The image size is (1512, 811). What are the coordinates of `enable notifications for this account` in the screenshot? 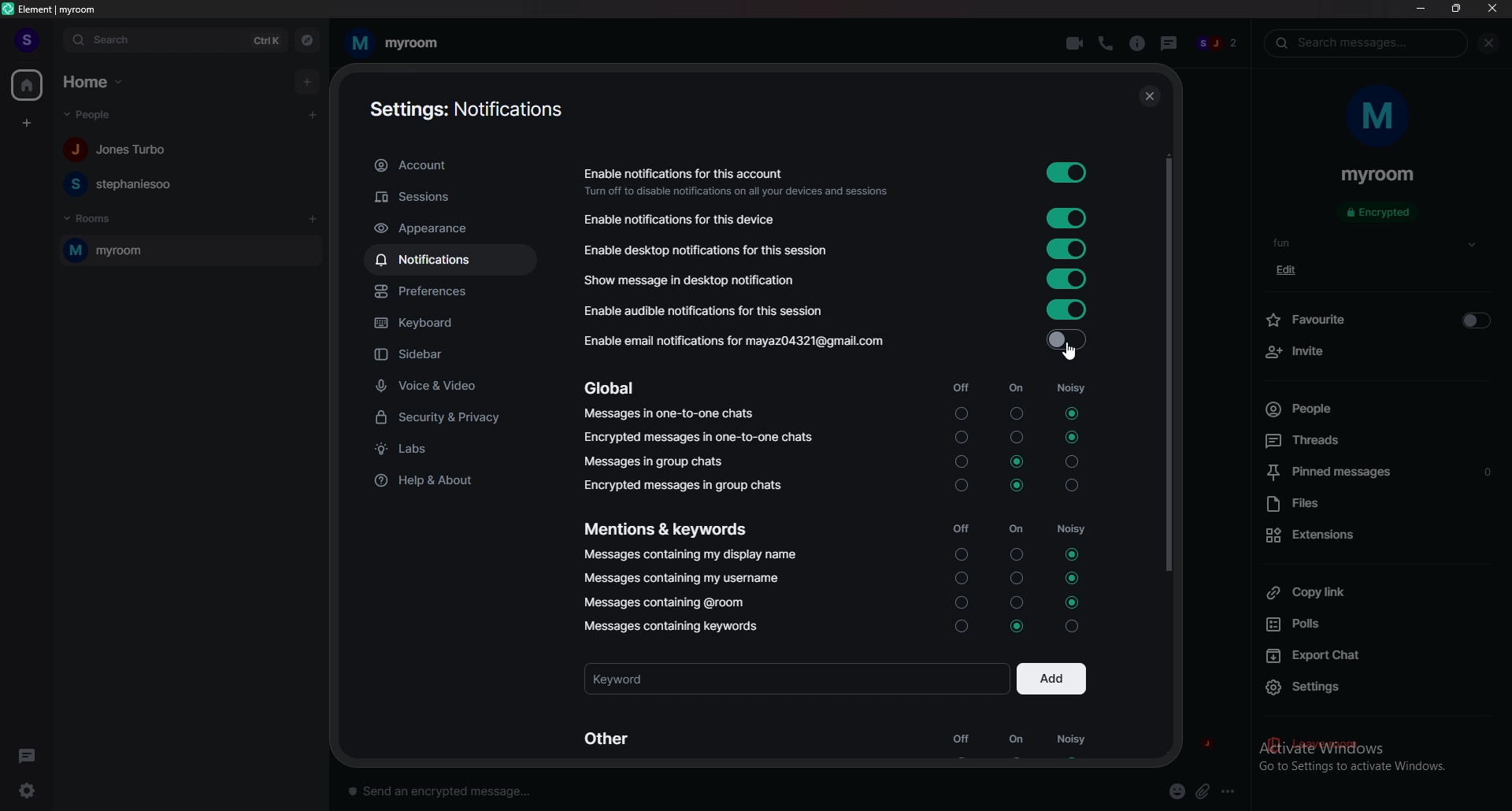 It's located at (833, 178).